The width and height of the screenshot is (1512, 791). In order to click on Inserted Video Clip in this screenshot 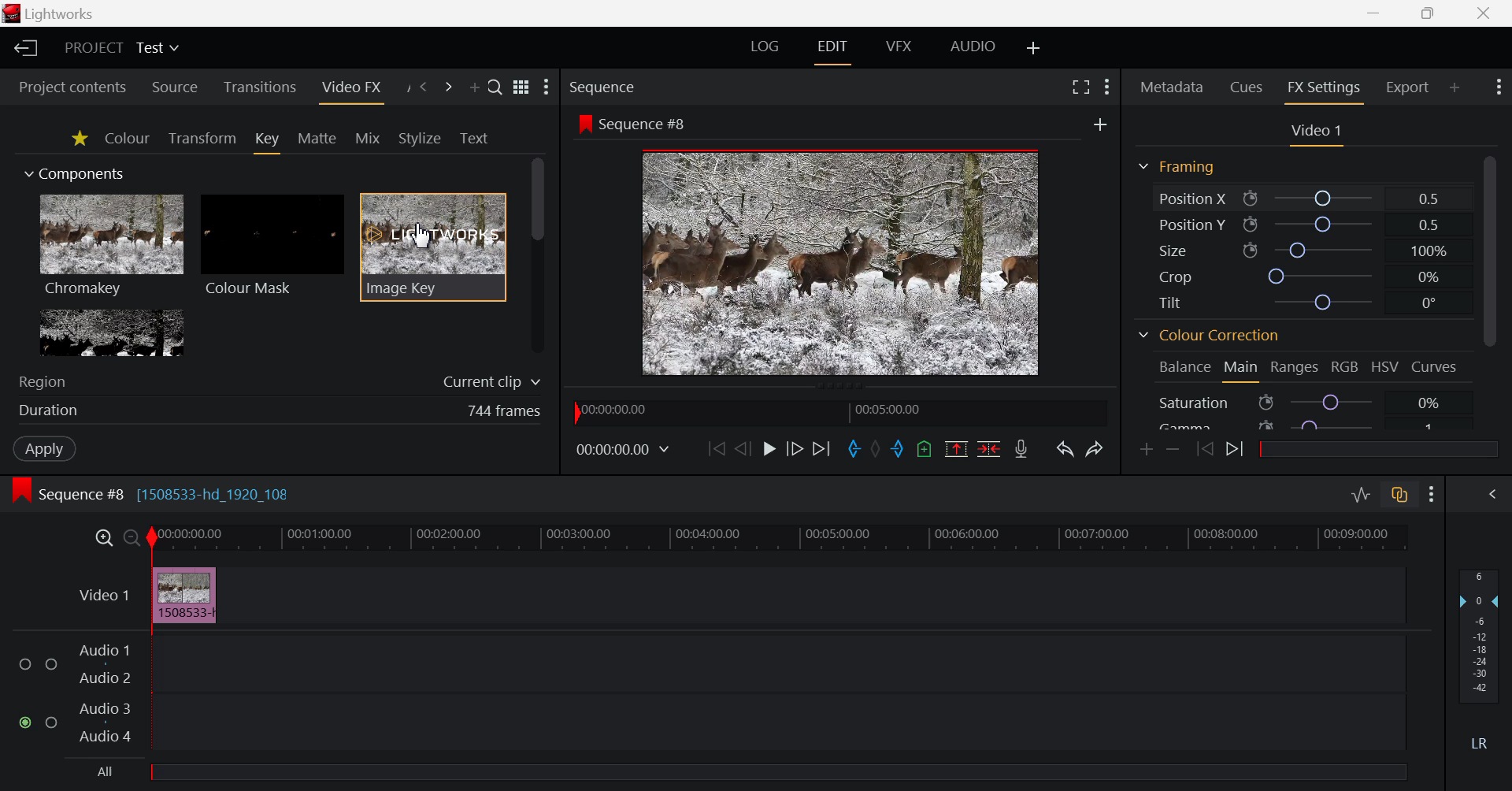, I will do `click(183, 595)`.